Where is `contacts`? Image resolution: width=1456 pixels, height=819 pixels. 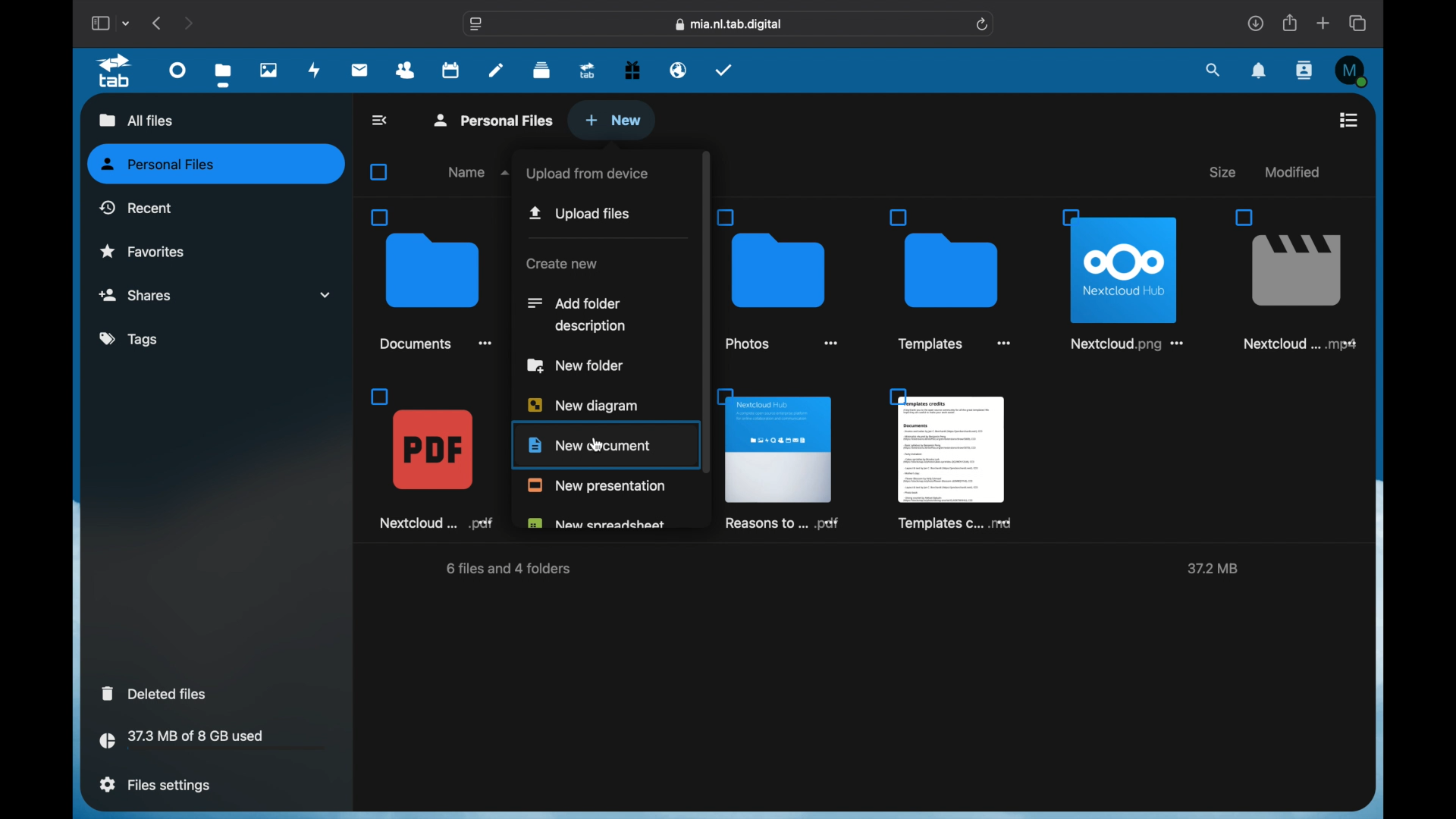 contacts is located at coordinates (406, 71).